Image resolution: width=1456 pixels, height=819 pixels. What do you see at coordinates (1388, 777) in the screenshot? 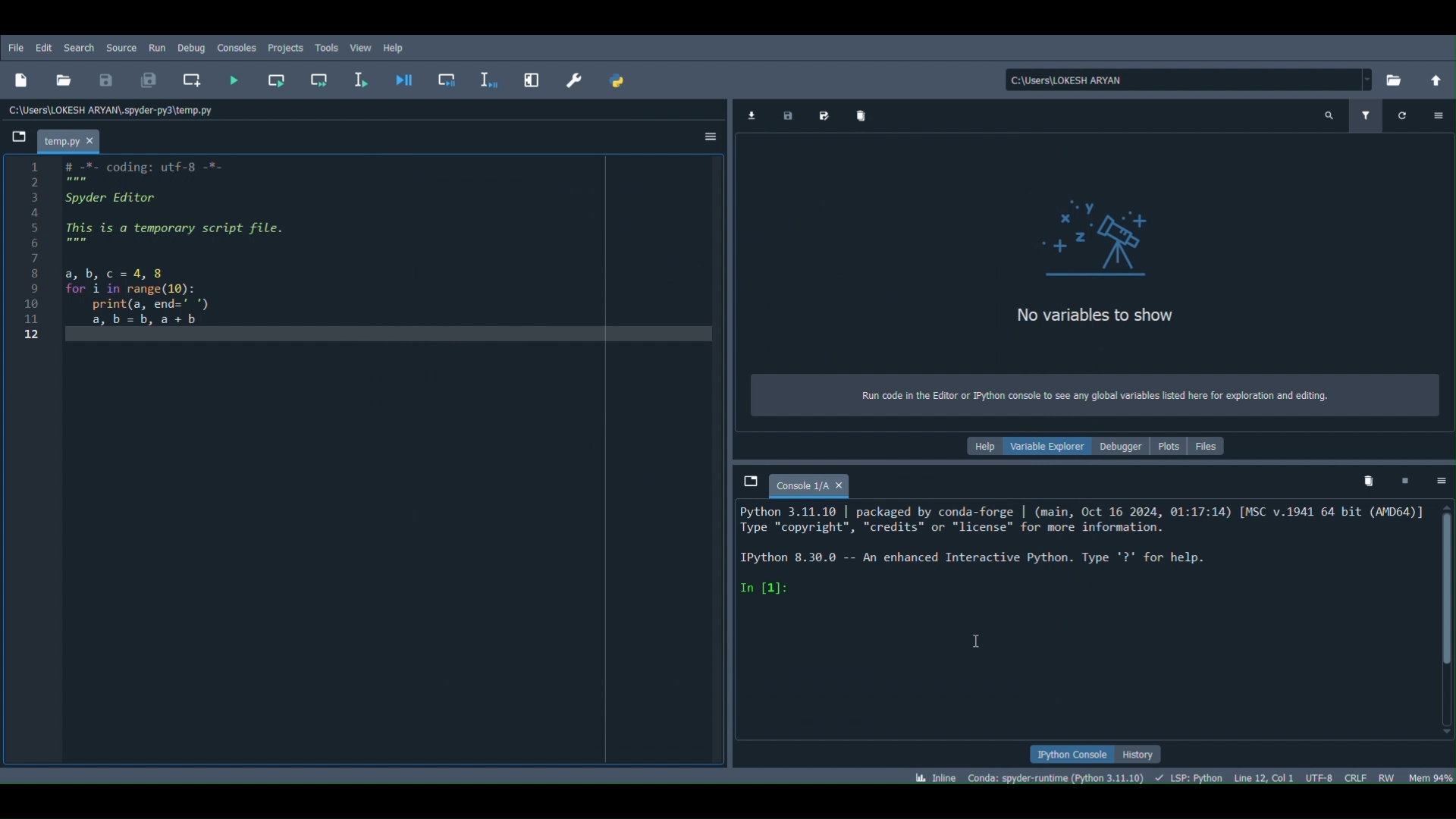
I see `File permissions` at bounding box center [1388, 777].